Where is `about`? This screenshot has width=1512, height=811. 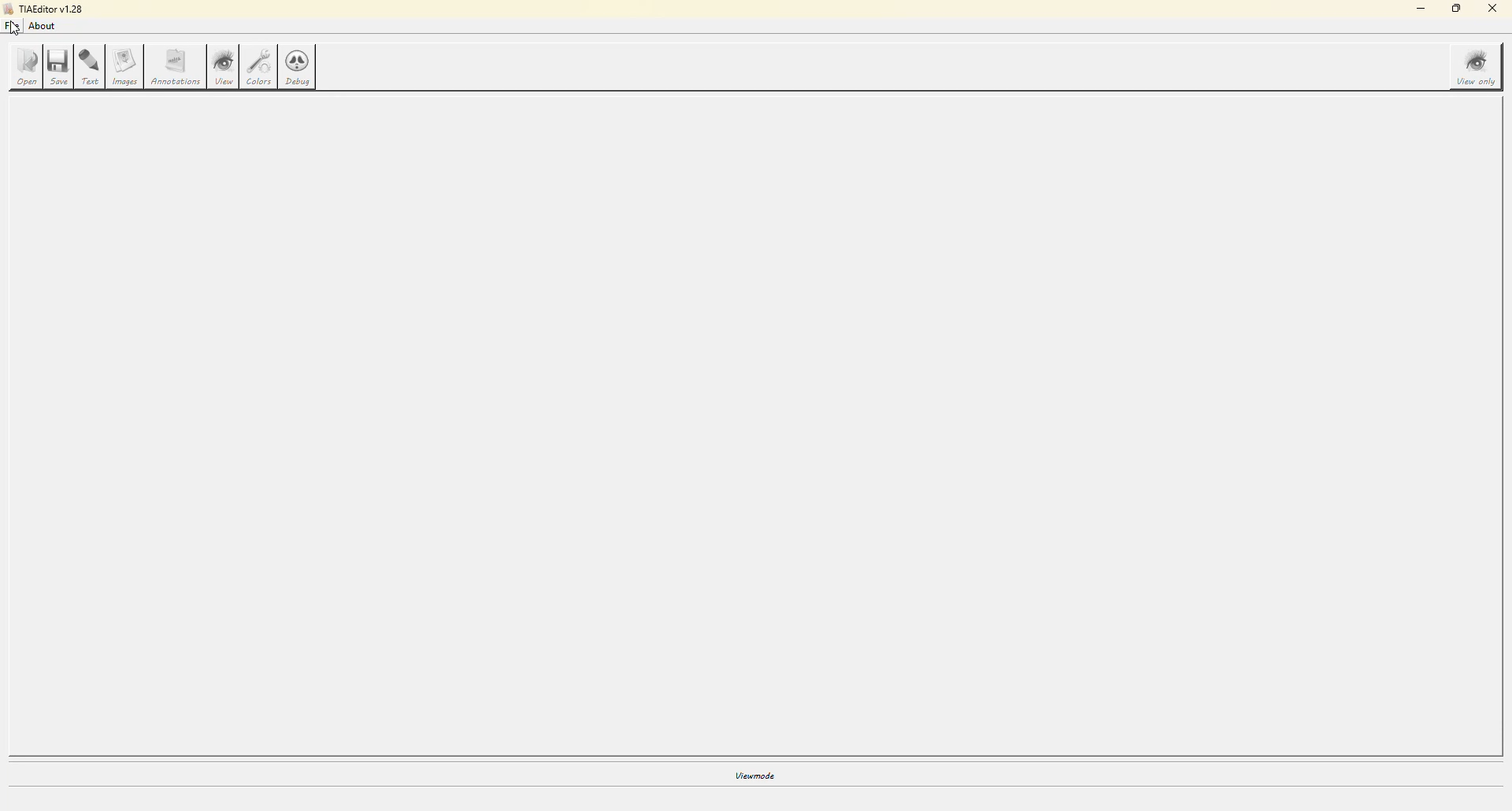 about is located at coordinates (42, 26).